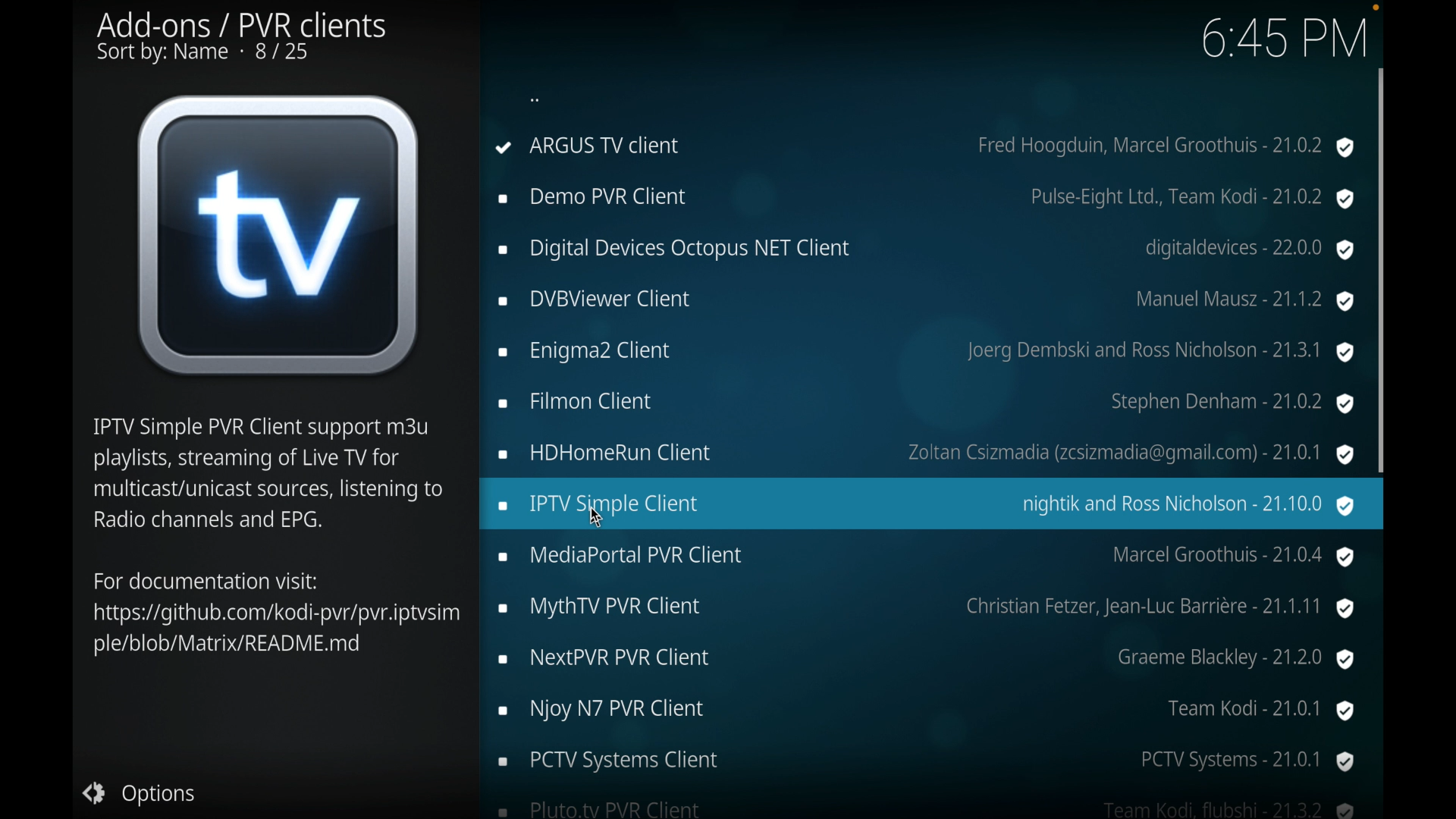 This screenshot has width=1456, height=819. What do you see at coordinates (927, 711) in the screenshot?
I see `enjoy N7 PVR client` at bounding box center [927, 711].